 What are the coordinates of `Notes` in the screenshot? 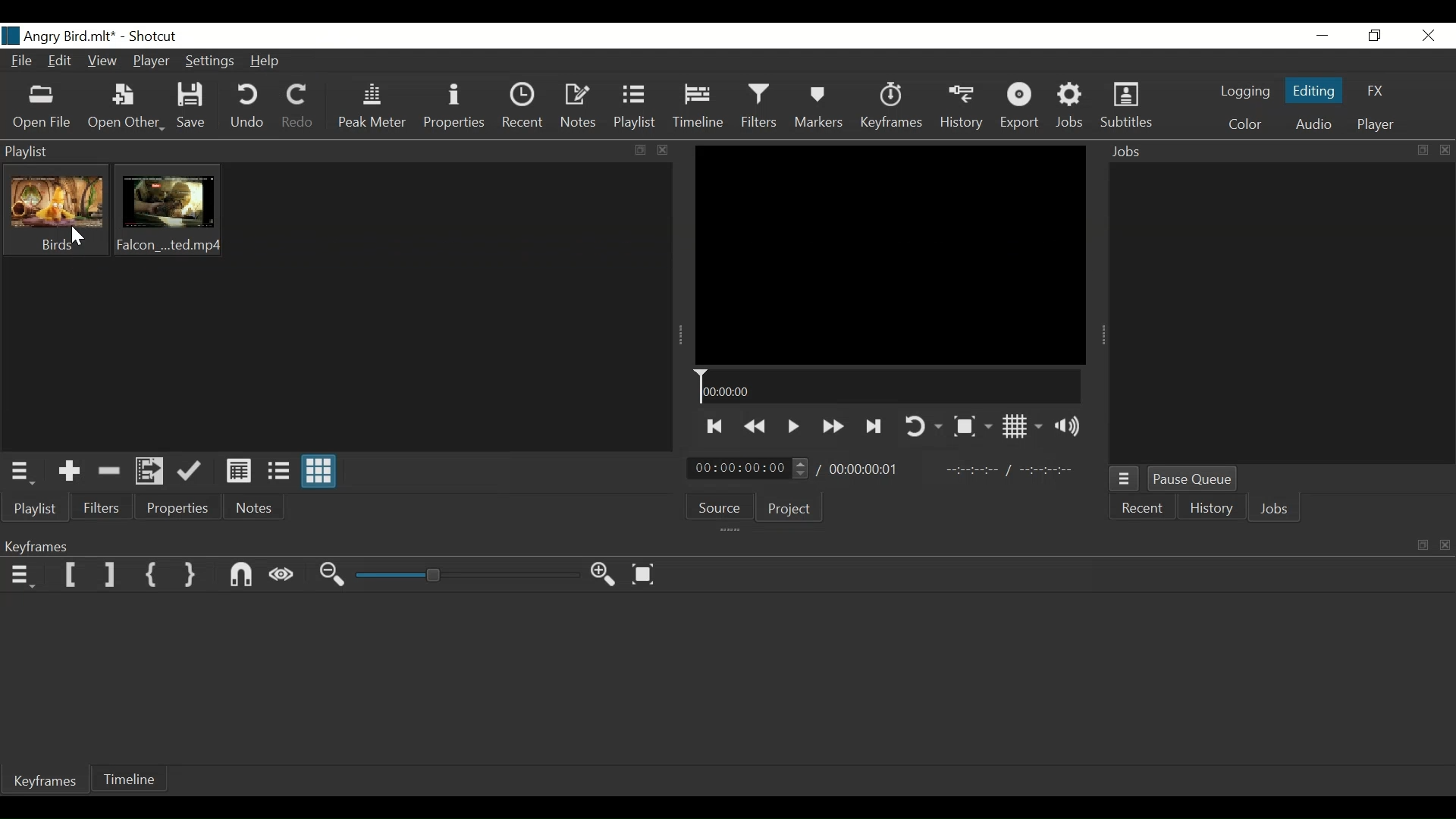 It's located at (579, 107).